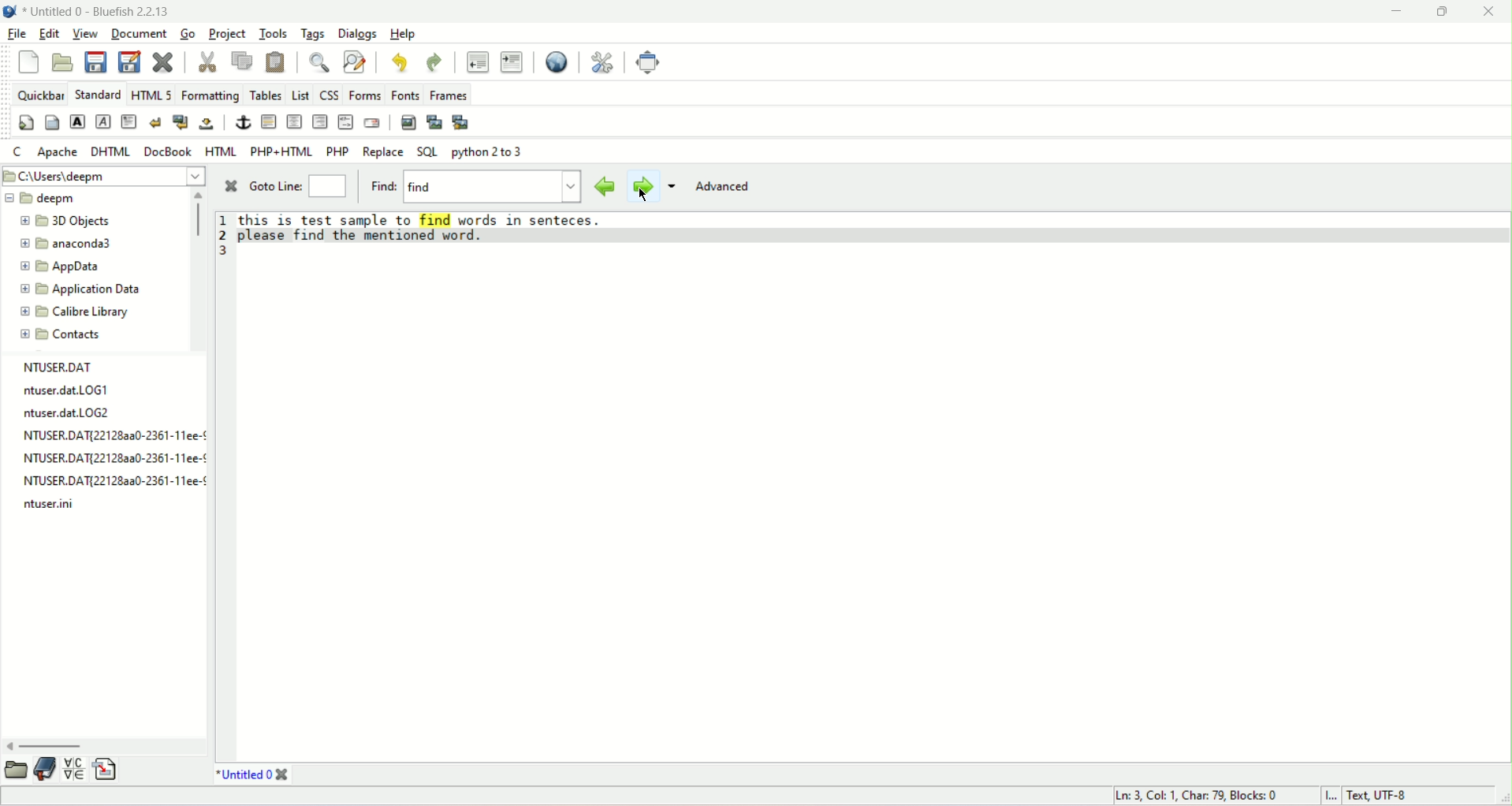  I want to click on NTUSER.DAT, so click(61, 368).